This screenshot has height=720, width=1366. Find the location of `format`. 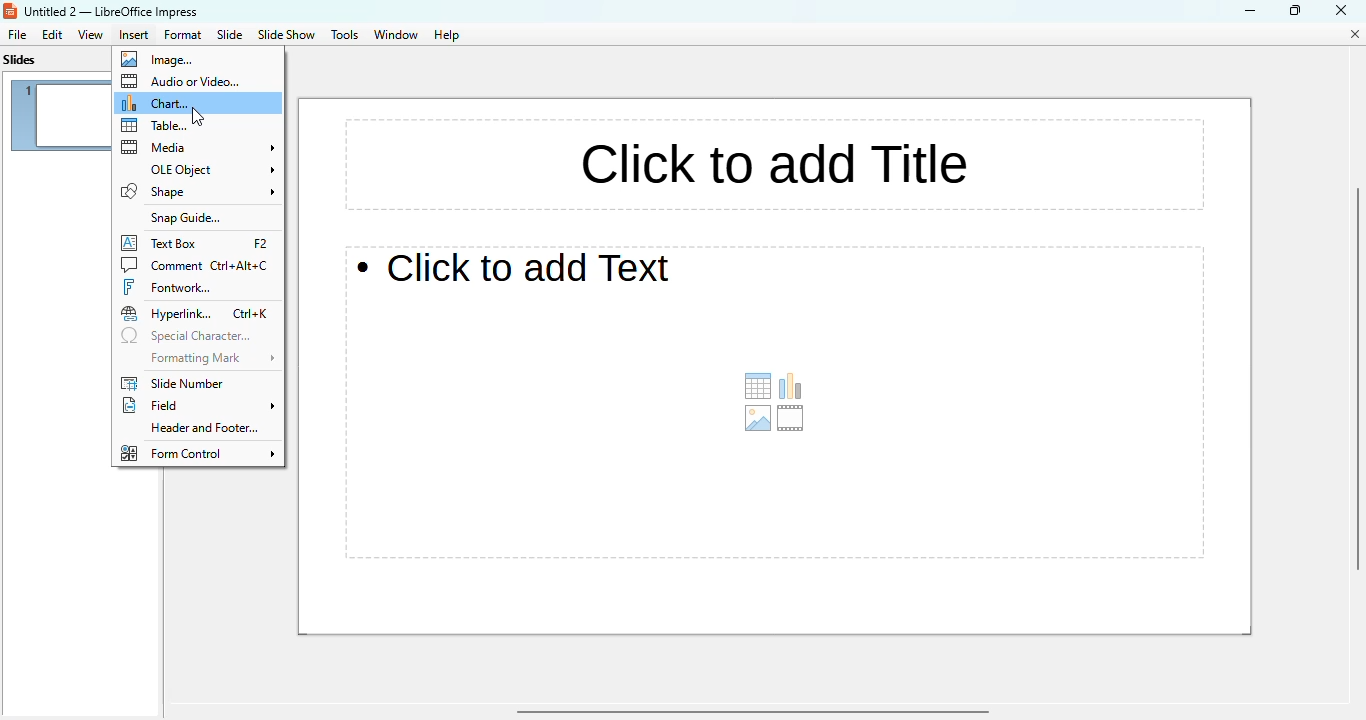

format is located at coordinates (184, 34).